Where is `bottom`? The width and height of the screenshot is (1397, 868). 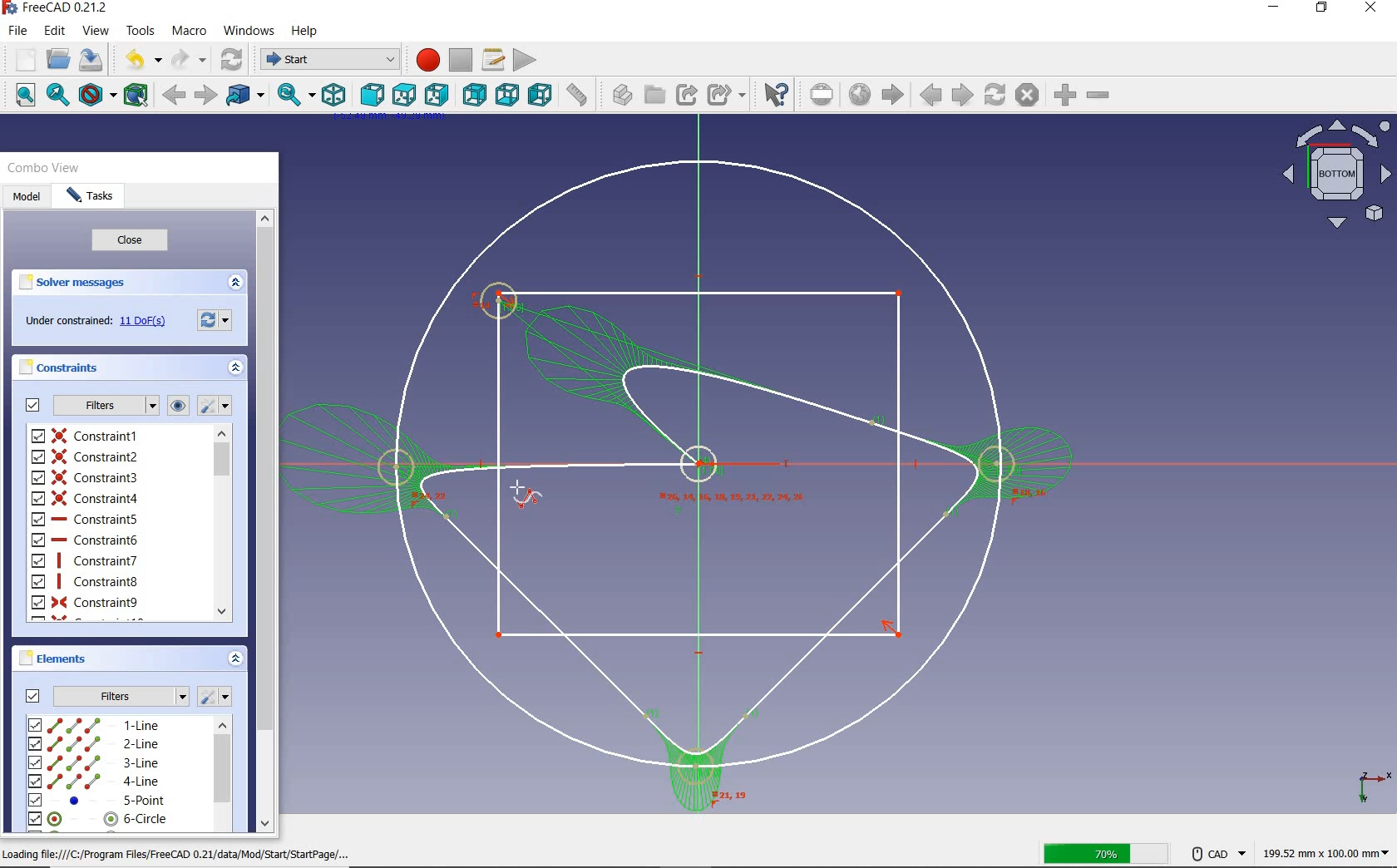
bottom is located at coordinates (509, 96).